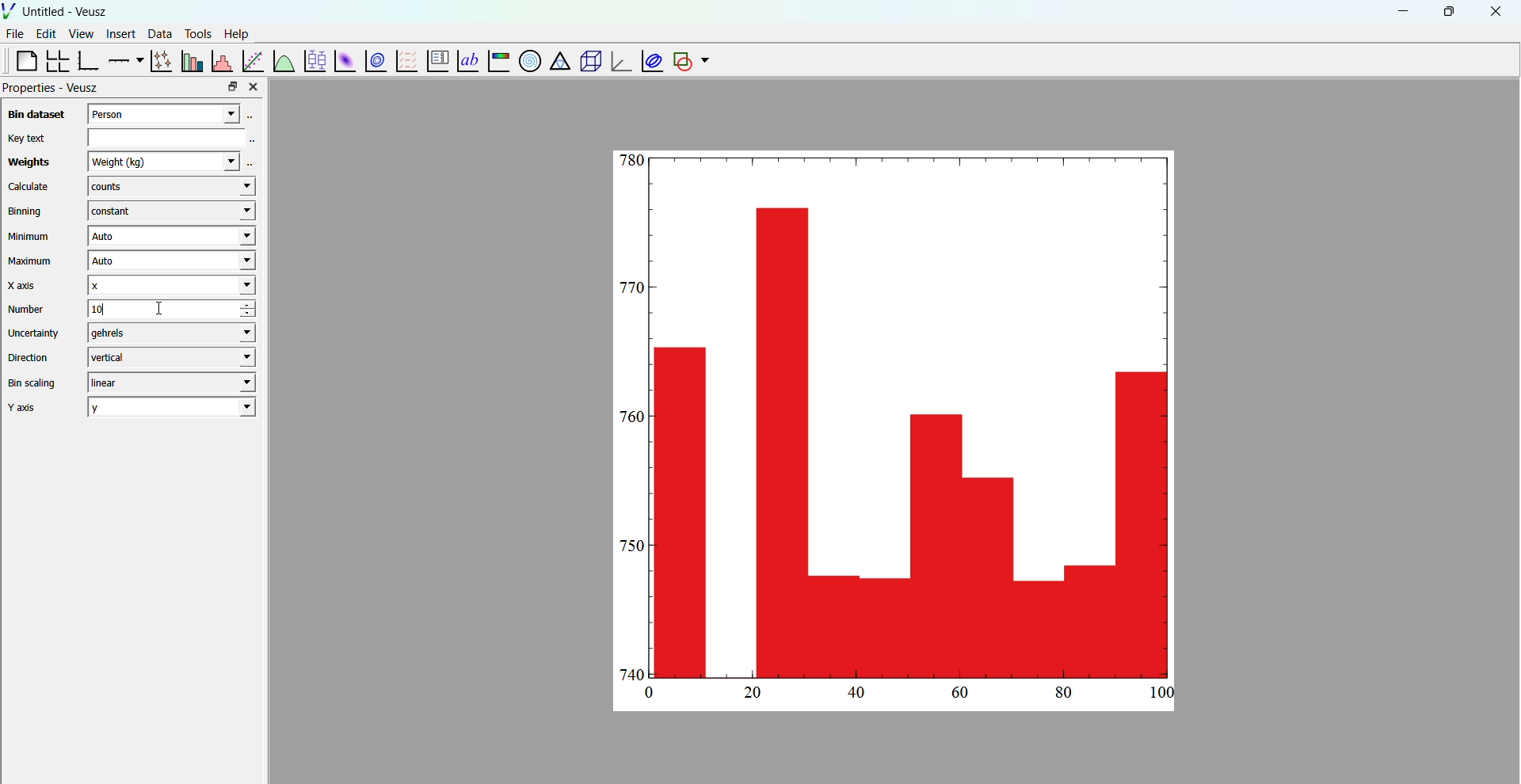 The height and width of the screenshot is (784, 1521). Describe the element at coordinates (67, 12) in the screenshot. I see `Untitled - Veusz` at that location.